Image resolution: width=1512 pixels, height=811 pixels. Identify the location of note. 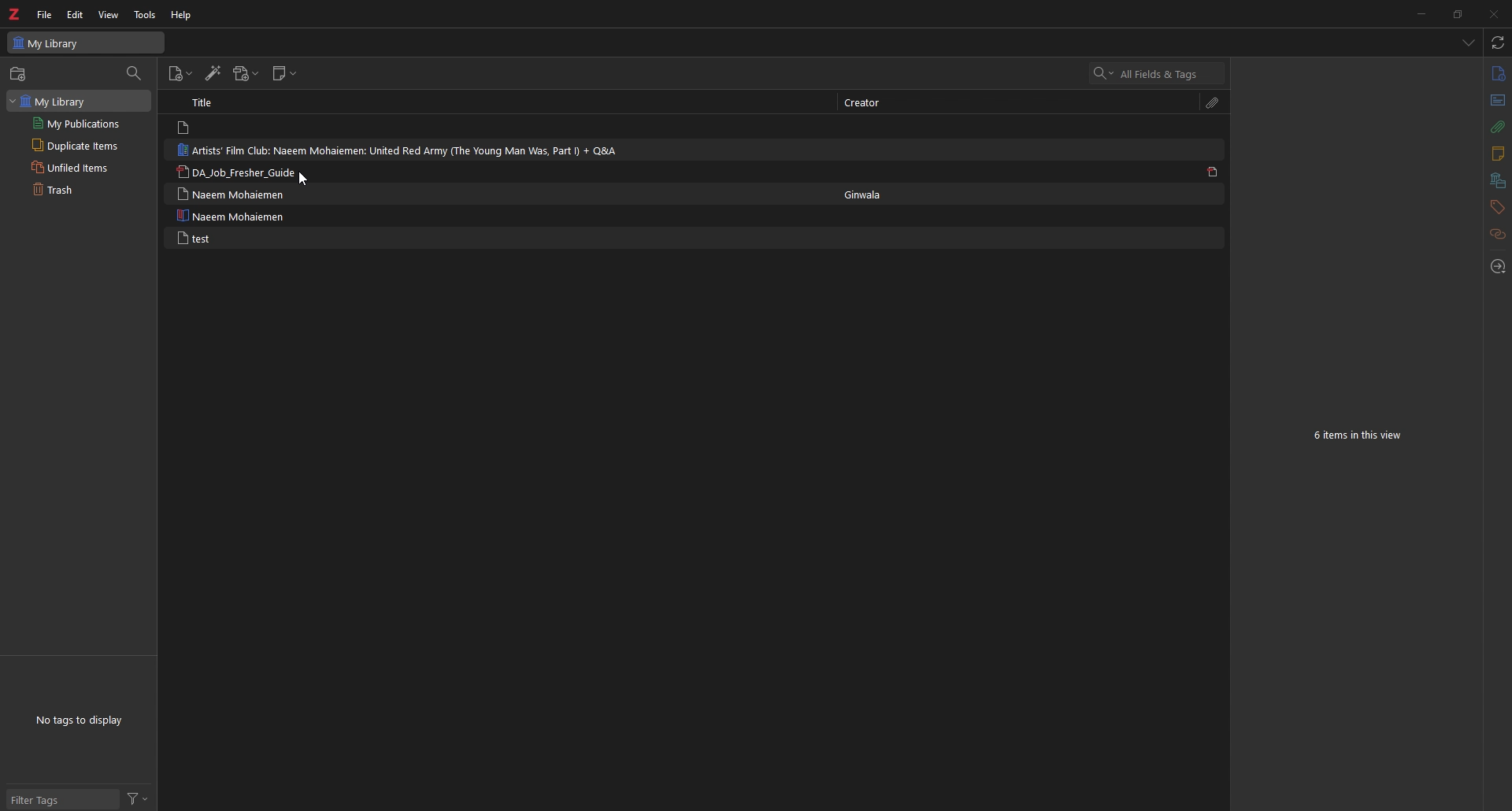
(270, 127).